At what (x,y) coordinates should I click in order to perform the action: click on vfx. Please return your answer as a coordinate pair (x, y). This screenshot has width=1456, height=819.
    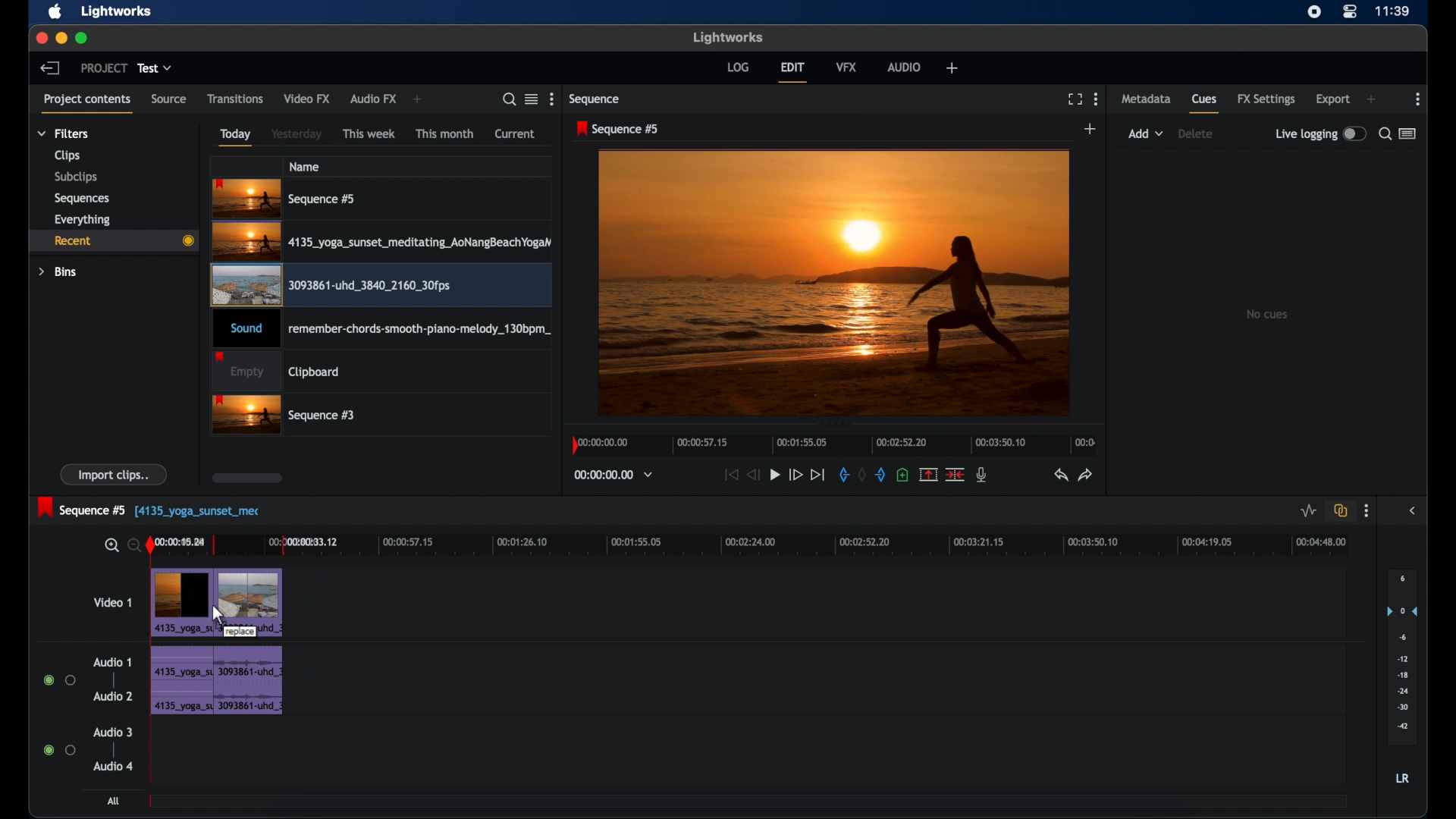
    Looking at the image, I should click on (847, 68).